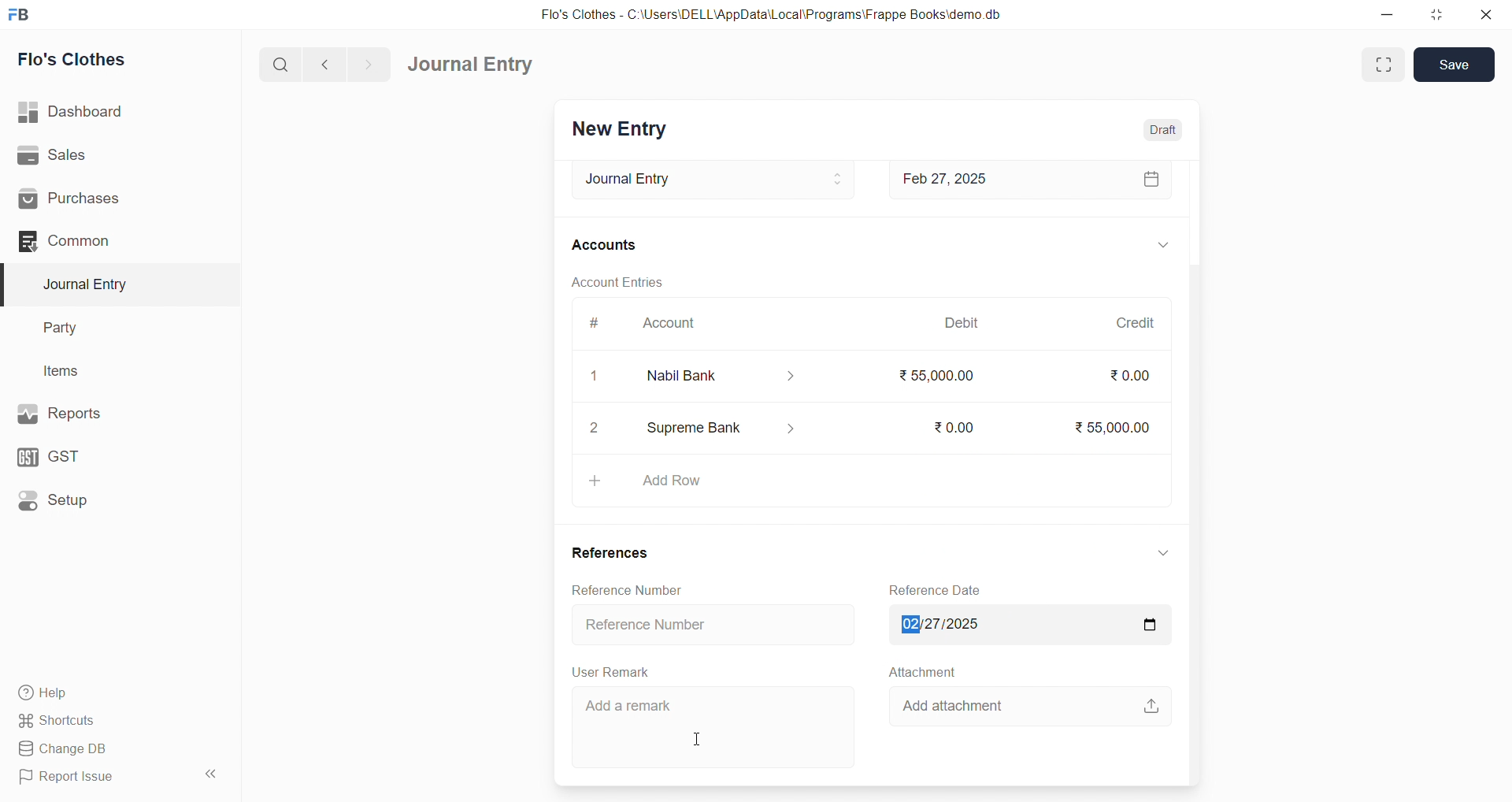 This screenshot has height=802, width=1512. Describe the element at coordinates (961, 323) in the screenshot. I see `Debit` at that location.